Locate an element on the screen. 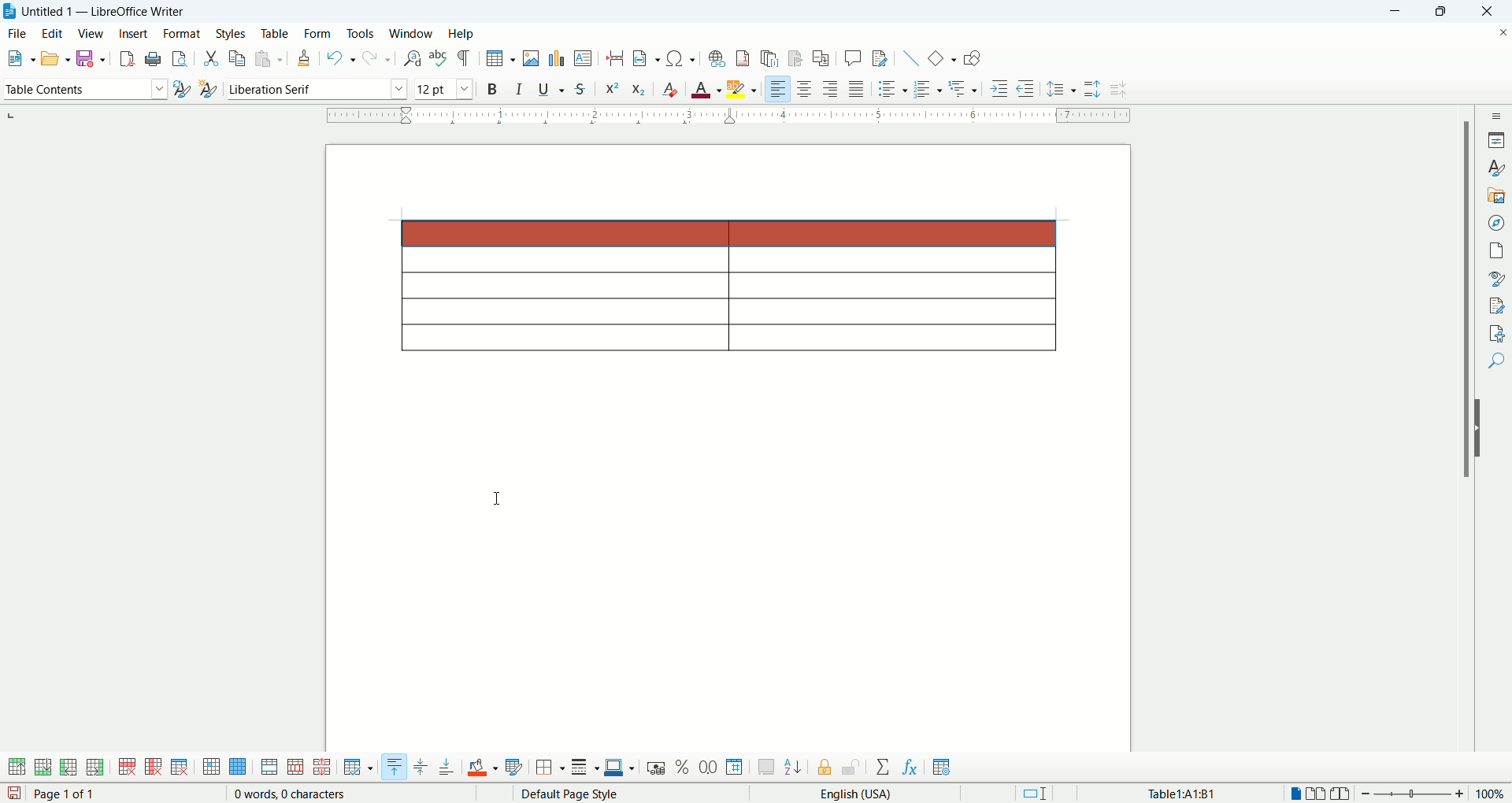 The width and height of the screenshot is (1512, 803). single page view is located at coordinates (1294, 794).